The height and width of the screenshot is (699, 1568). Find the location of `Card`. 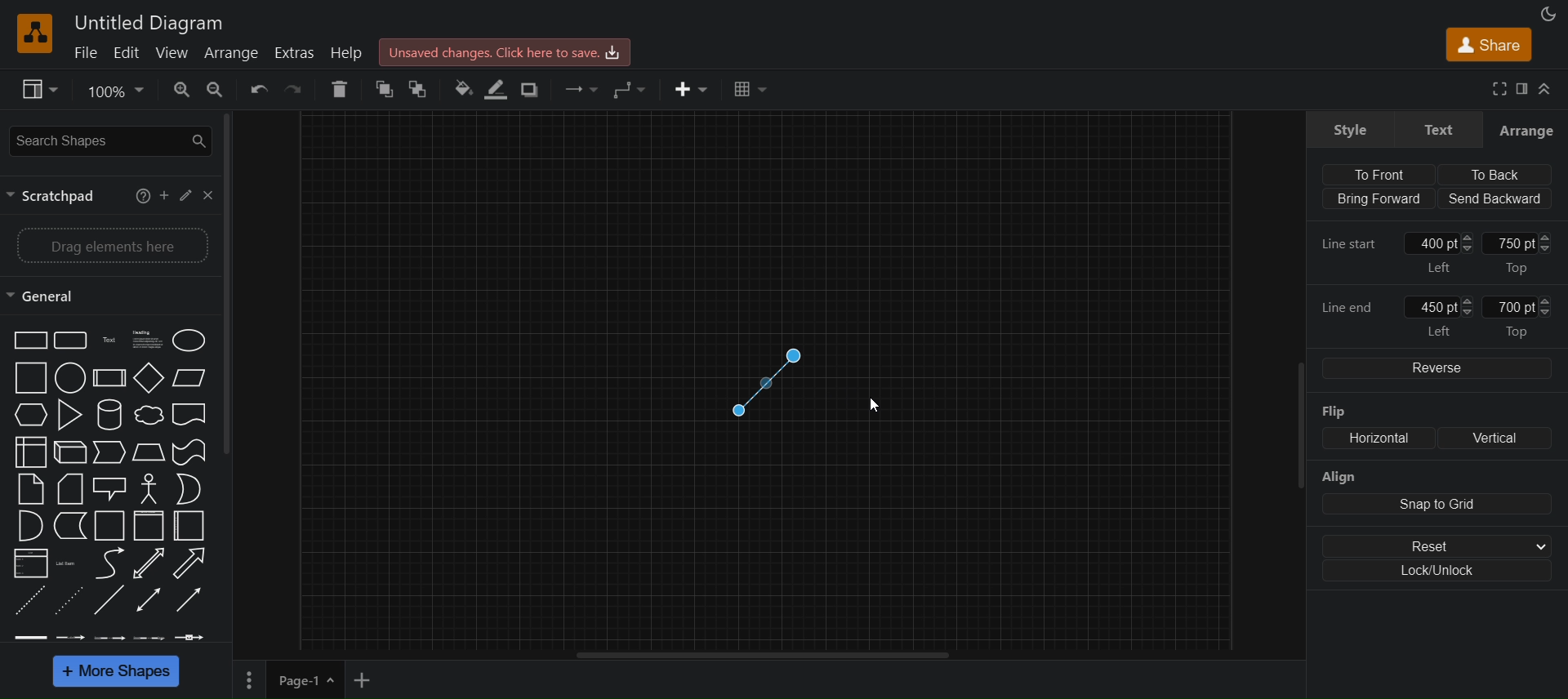

Card is located at coordinates (69, 488).